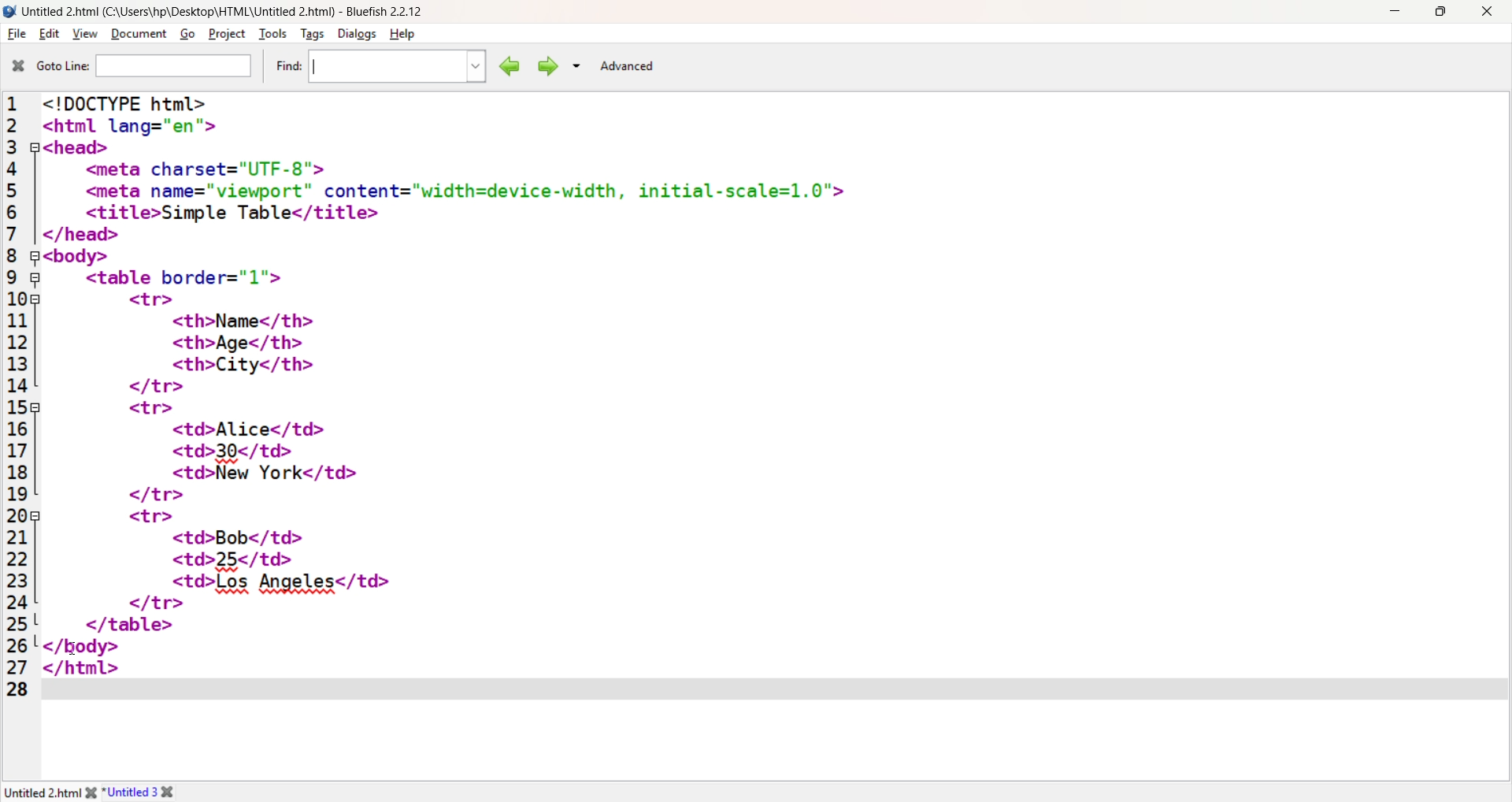 This screenshot has width=1512, height=802. I want to click on Goto Line:, so click(61, 67).